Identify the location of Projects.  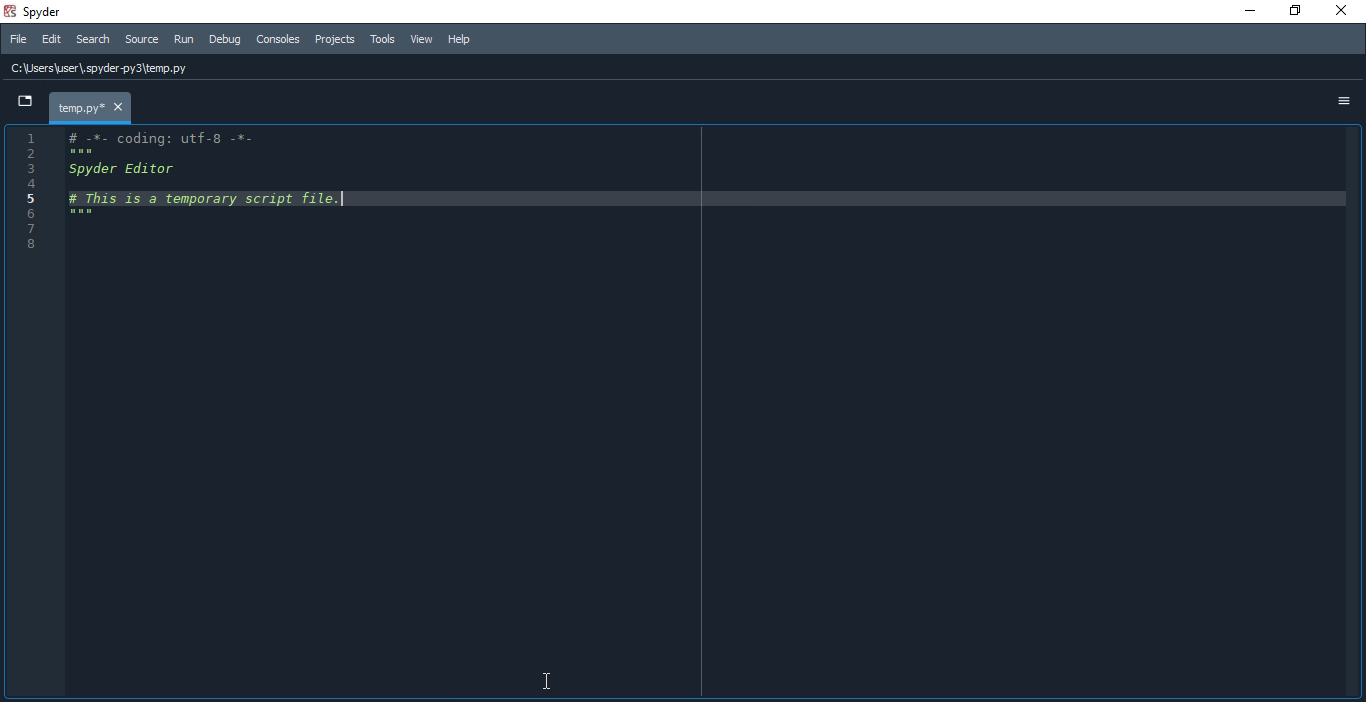
(335, 41).